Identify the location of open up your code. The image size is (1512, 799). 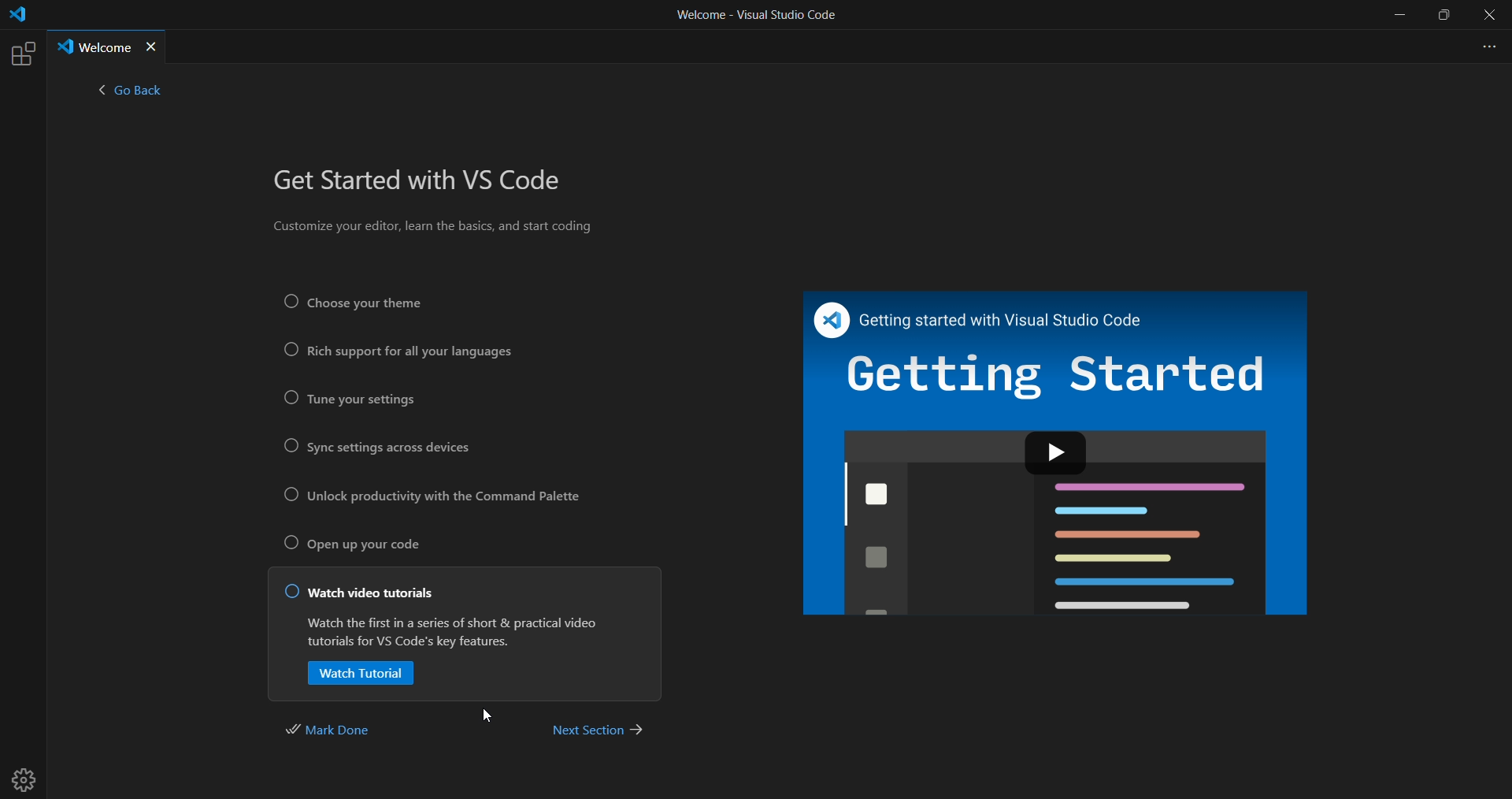
(356, 544).